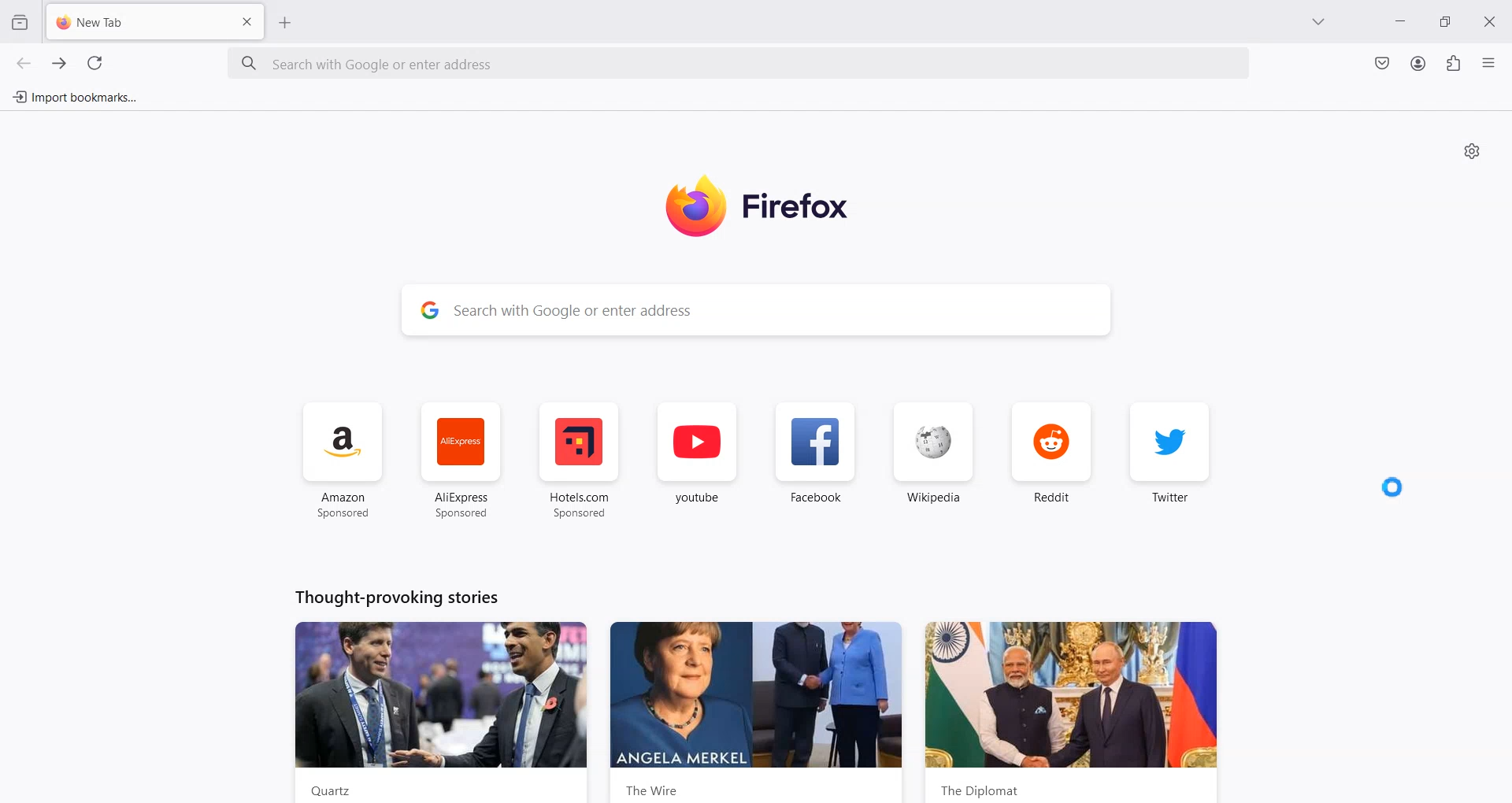  Describe the element at coordinates (1453, 64) in the screenshot. I see `Extensions` at that location.